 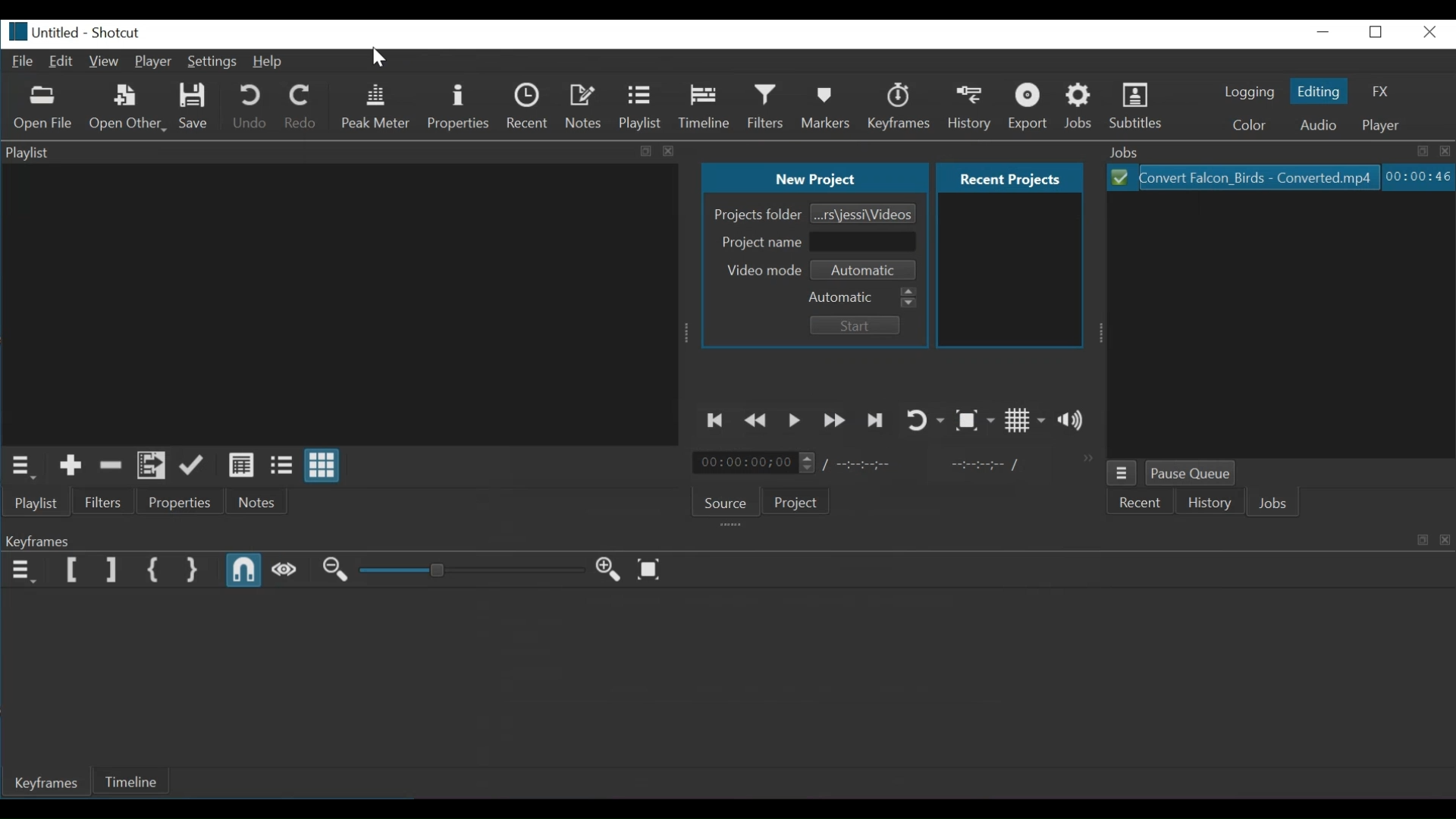 I want to click on 00:00:46(Elapsed Hours: Minutes: Seconds), so click(x=1417, y=177).